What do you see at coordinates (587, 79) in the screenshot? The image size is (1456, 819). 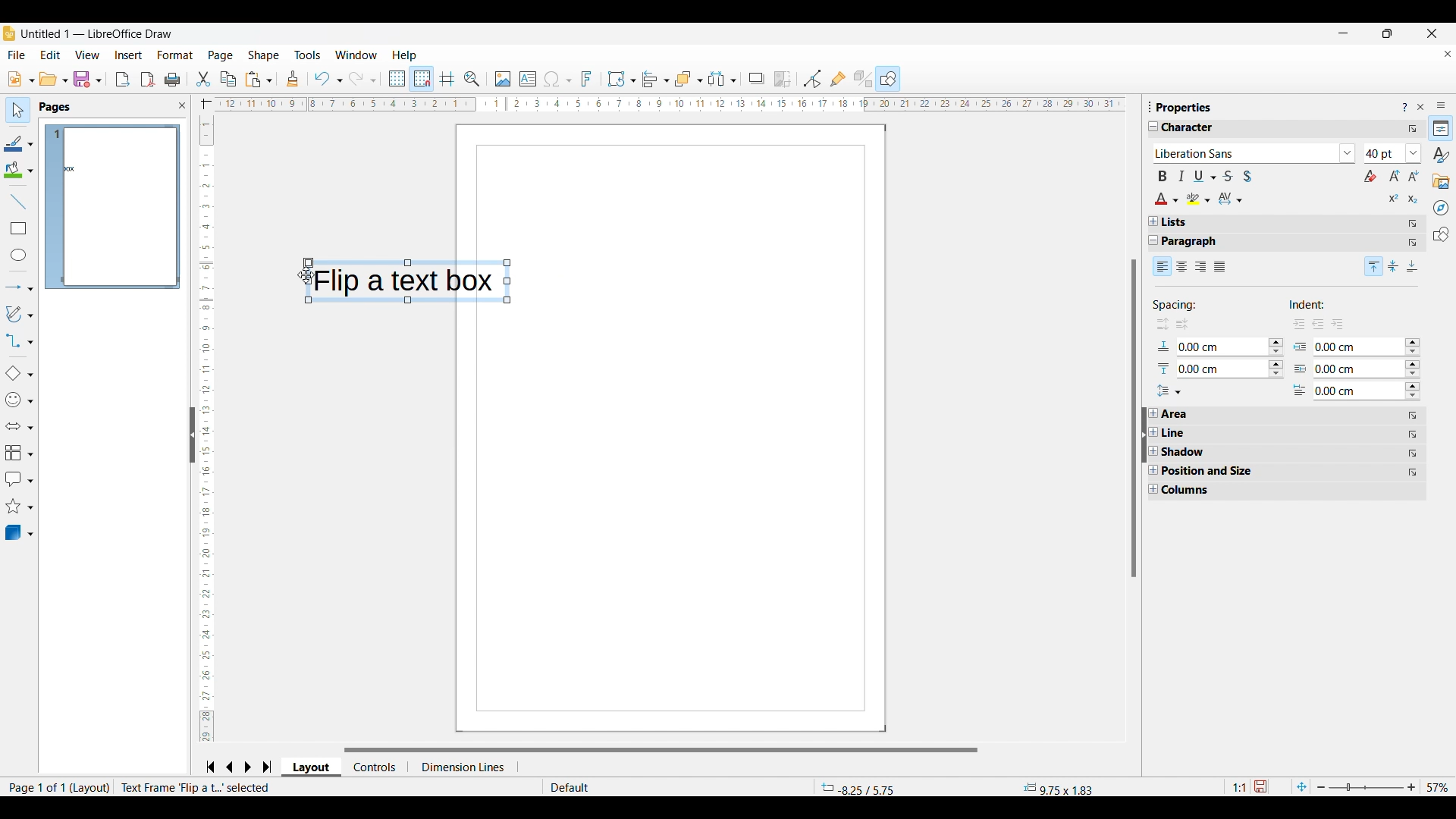 I see `Insert fontwork text` at bounding box center [587, 79].